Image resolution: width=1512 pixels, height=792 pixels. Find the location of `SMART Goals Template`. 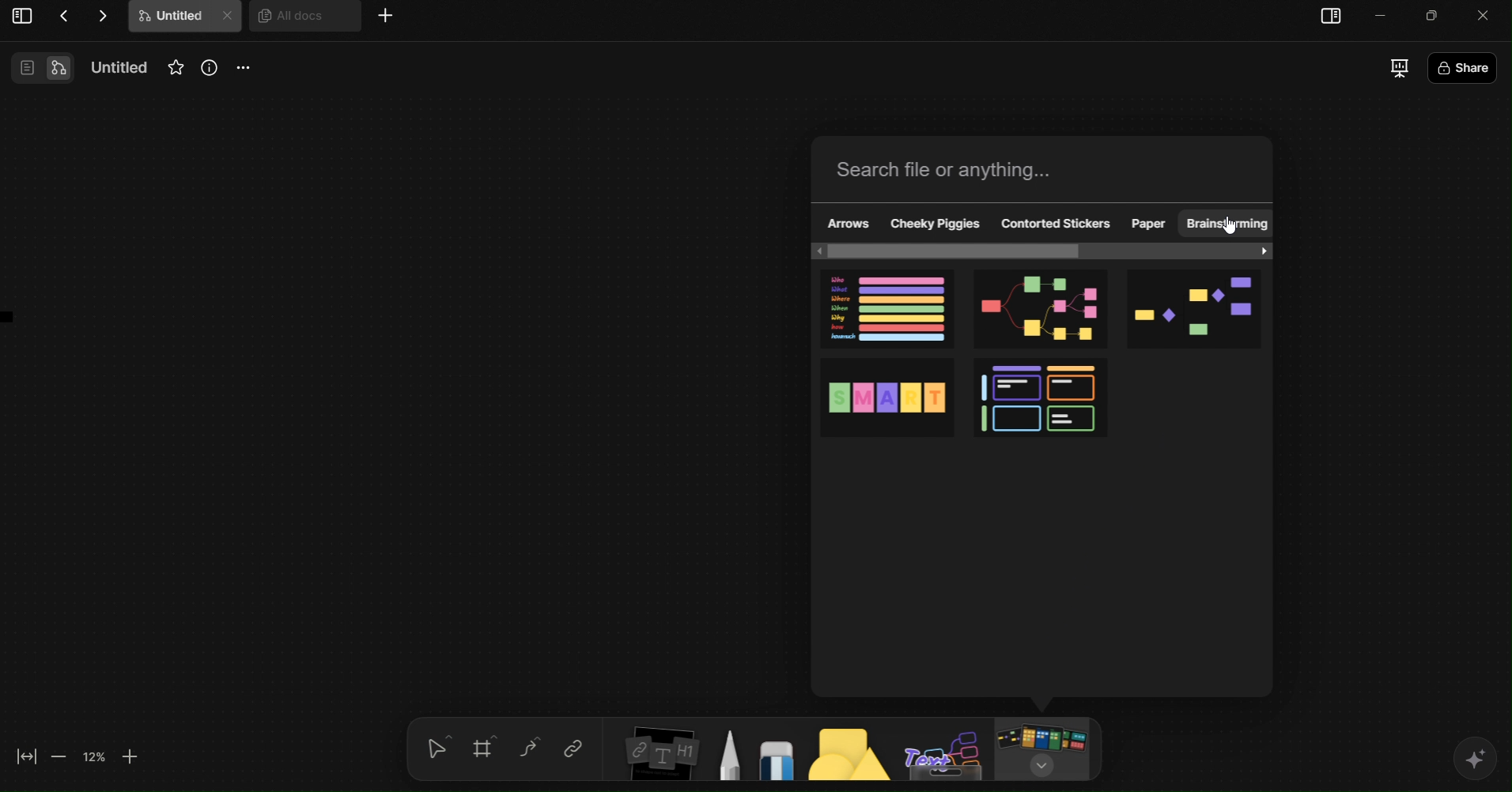

SMART Goals Template is located at coordinates (886, 401).